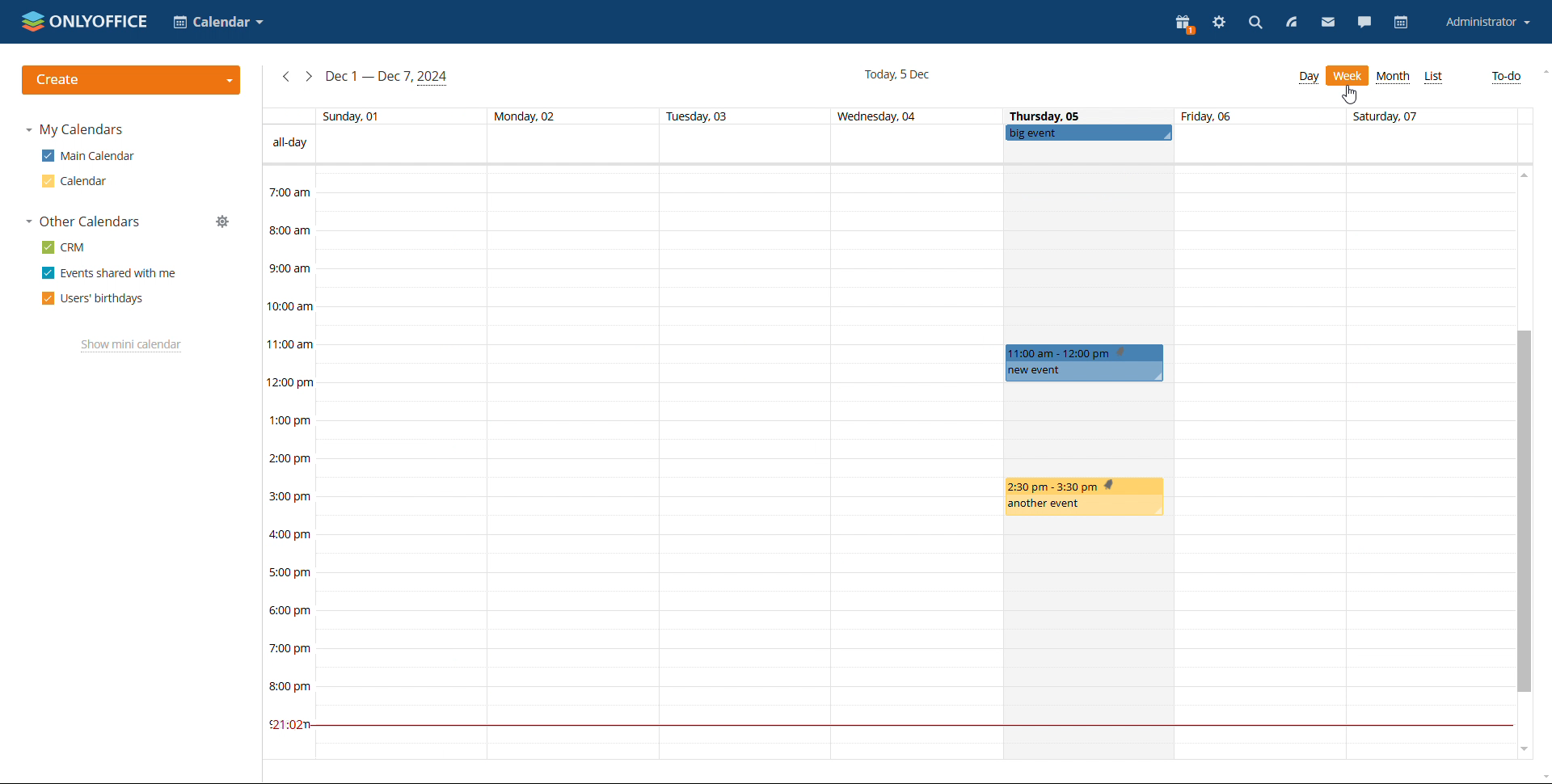  What do you see at coordinates (896, 74) in the screenshot?
I see `current date` at bounding box center [896, 74].